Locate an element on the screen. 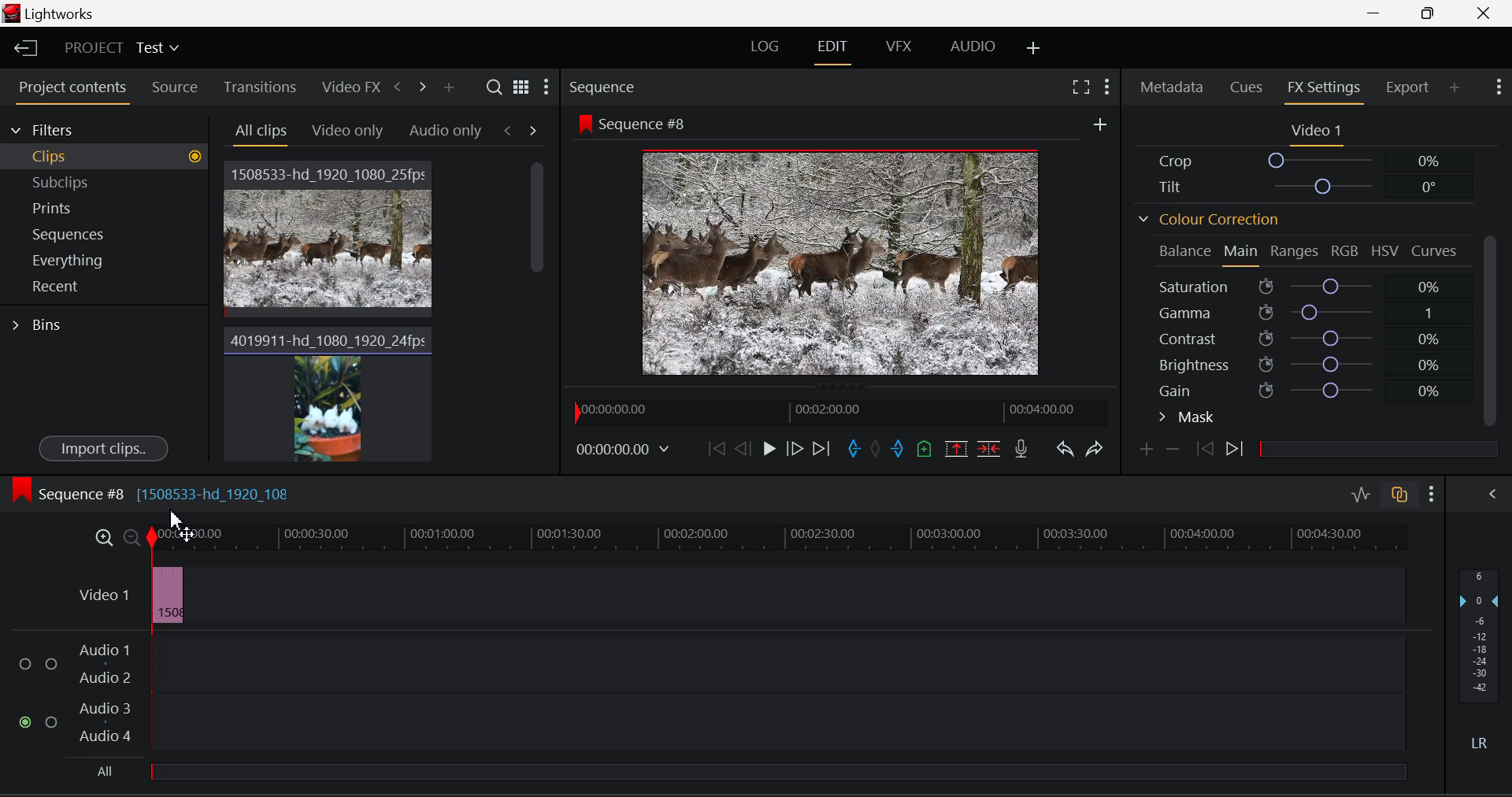 The width and height of the screenshot is (1512, 797). Source Tab is located at coordinates (174, 87).